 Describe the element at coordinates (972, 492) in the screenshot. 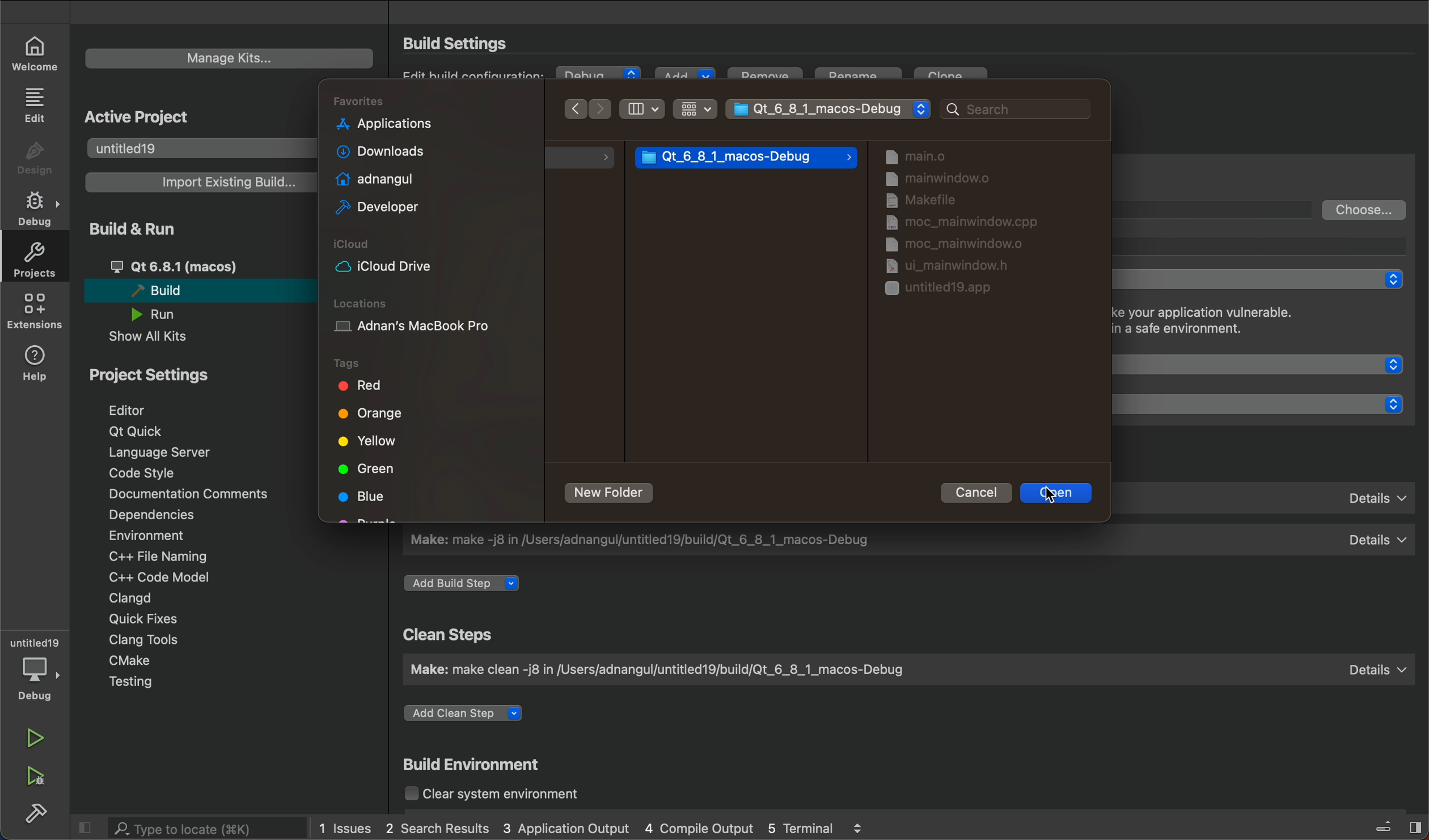

I see `cancel` at that location.